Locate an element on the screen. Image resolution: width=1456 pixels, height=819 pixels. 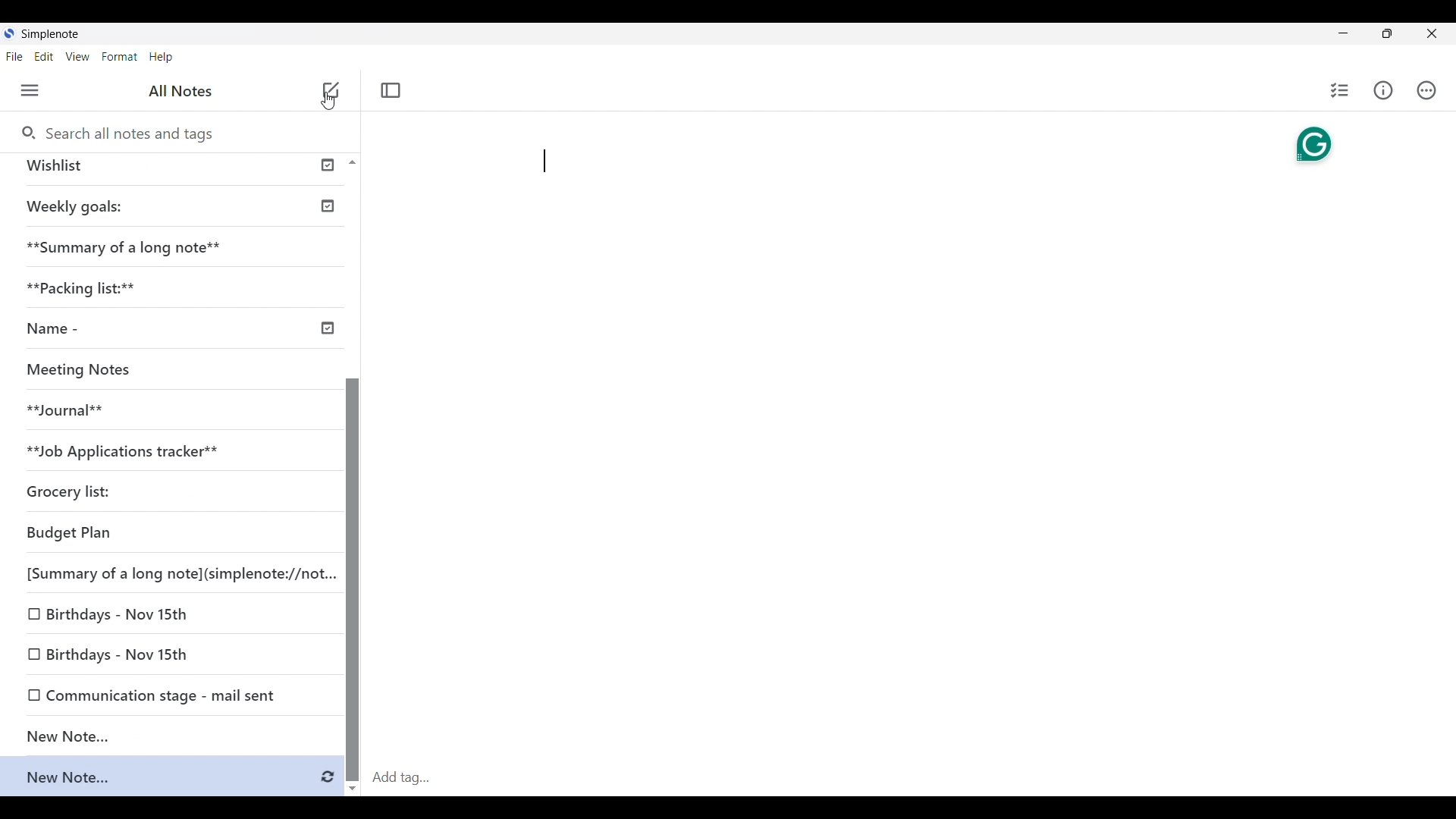
communication stage - mail sent is located at coordinates (171, 697).